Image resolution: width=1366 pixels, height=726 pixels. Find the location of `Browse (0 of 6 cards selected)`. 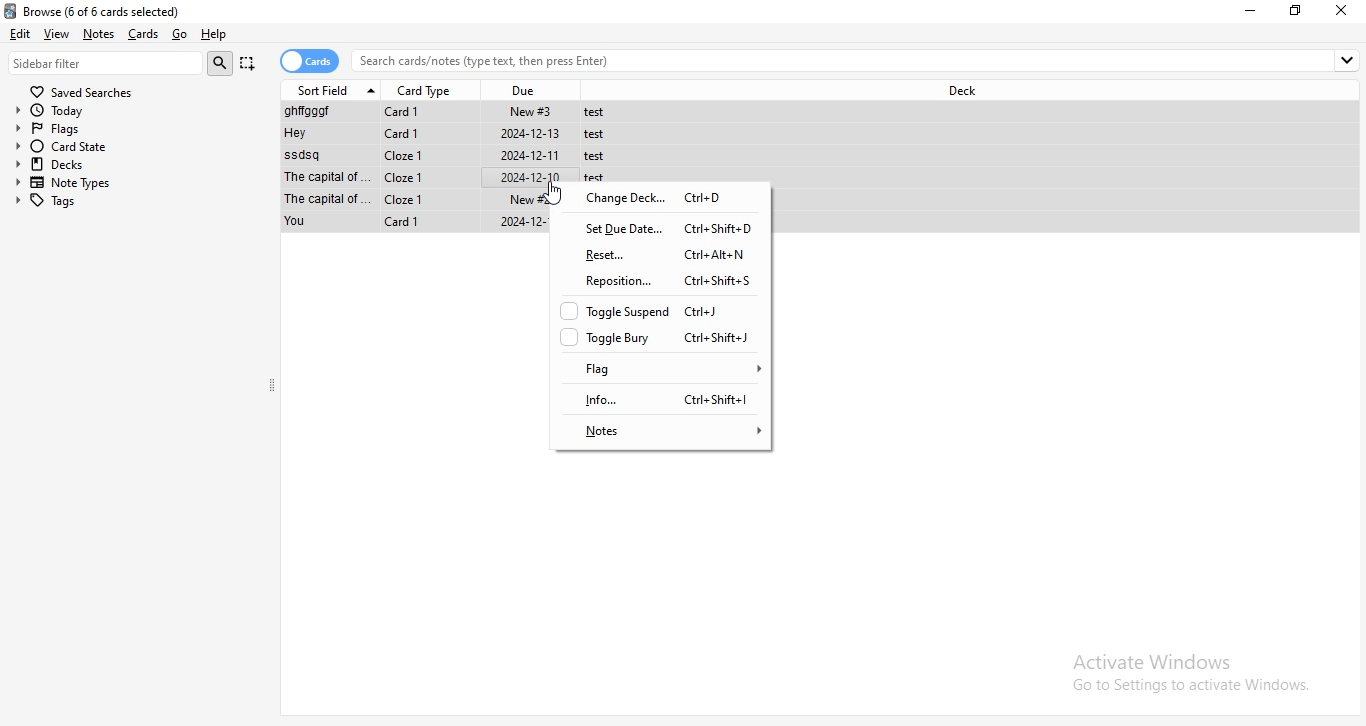

Browse (0 of 6 cards selected) is located at coordinates (111, 10).